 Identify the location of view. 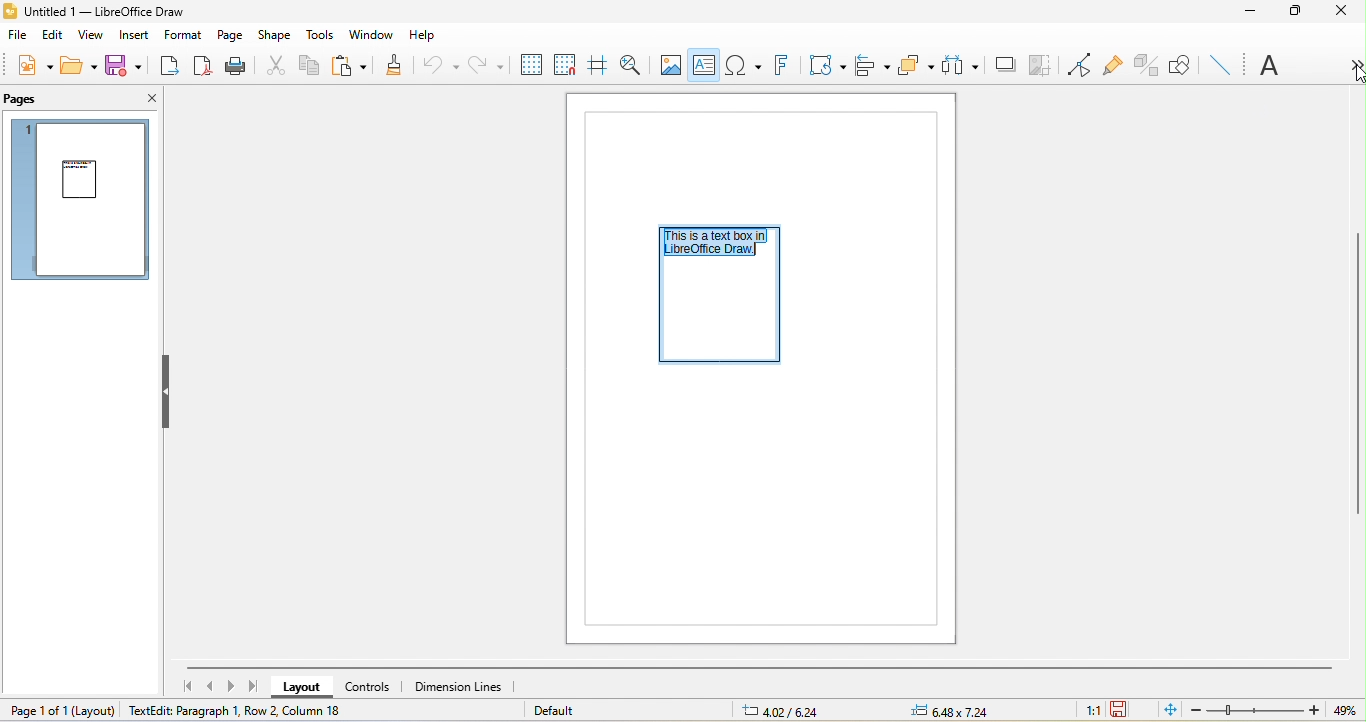
(95, 36).